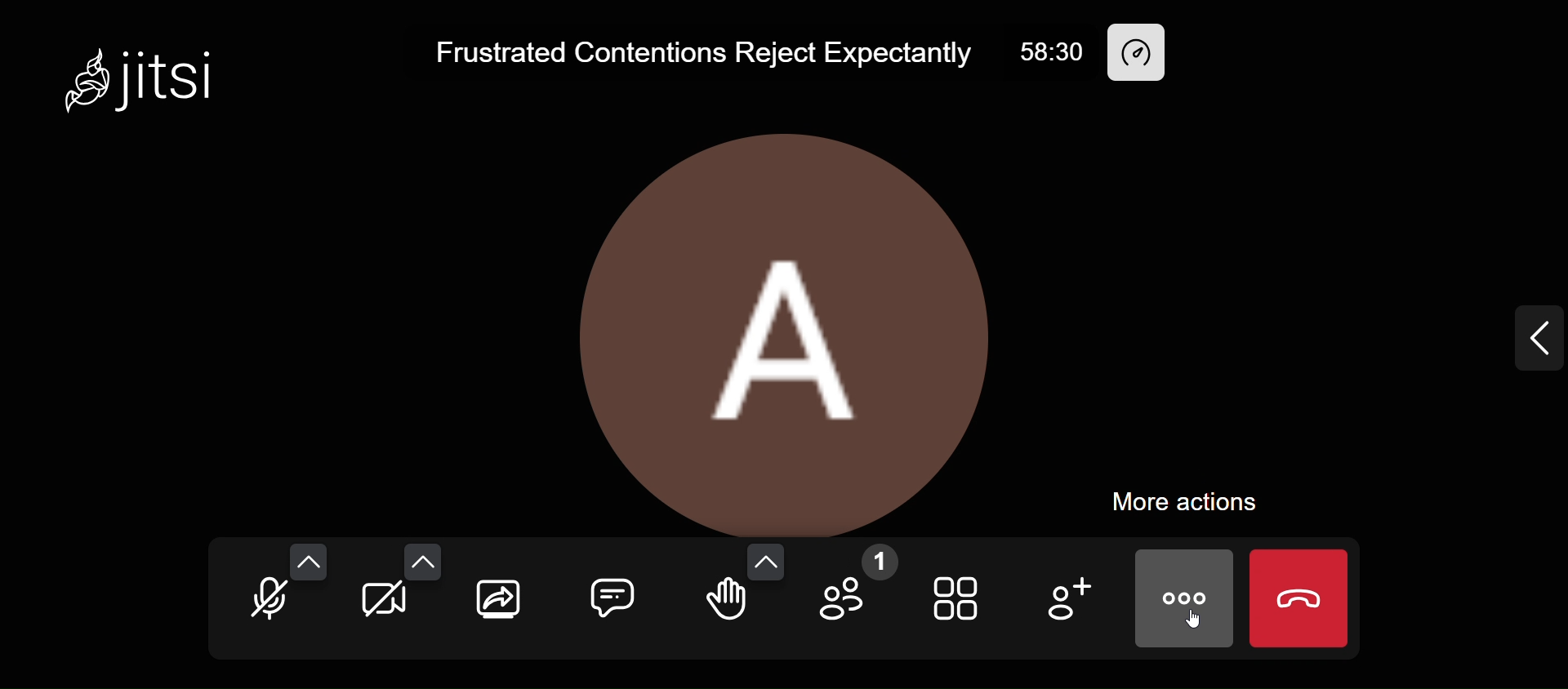  Describe the element at coordinates (1510, 340) in the screenshot. I see `expand` at that location.